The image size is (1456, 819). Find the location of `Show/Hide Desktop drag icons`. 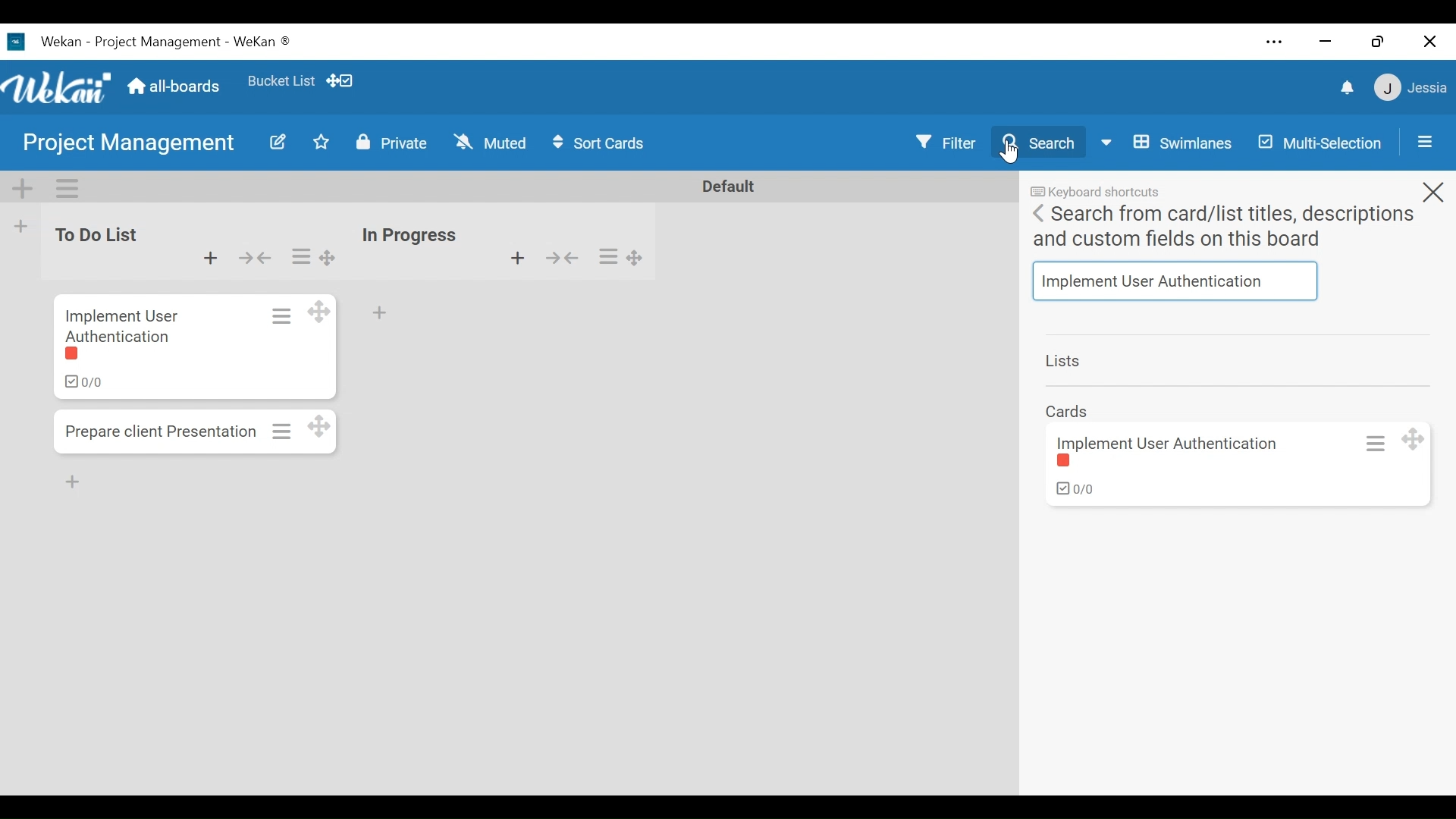

Show/Hide Desktop drag icons is located at coordinates (343, 80).